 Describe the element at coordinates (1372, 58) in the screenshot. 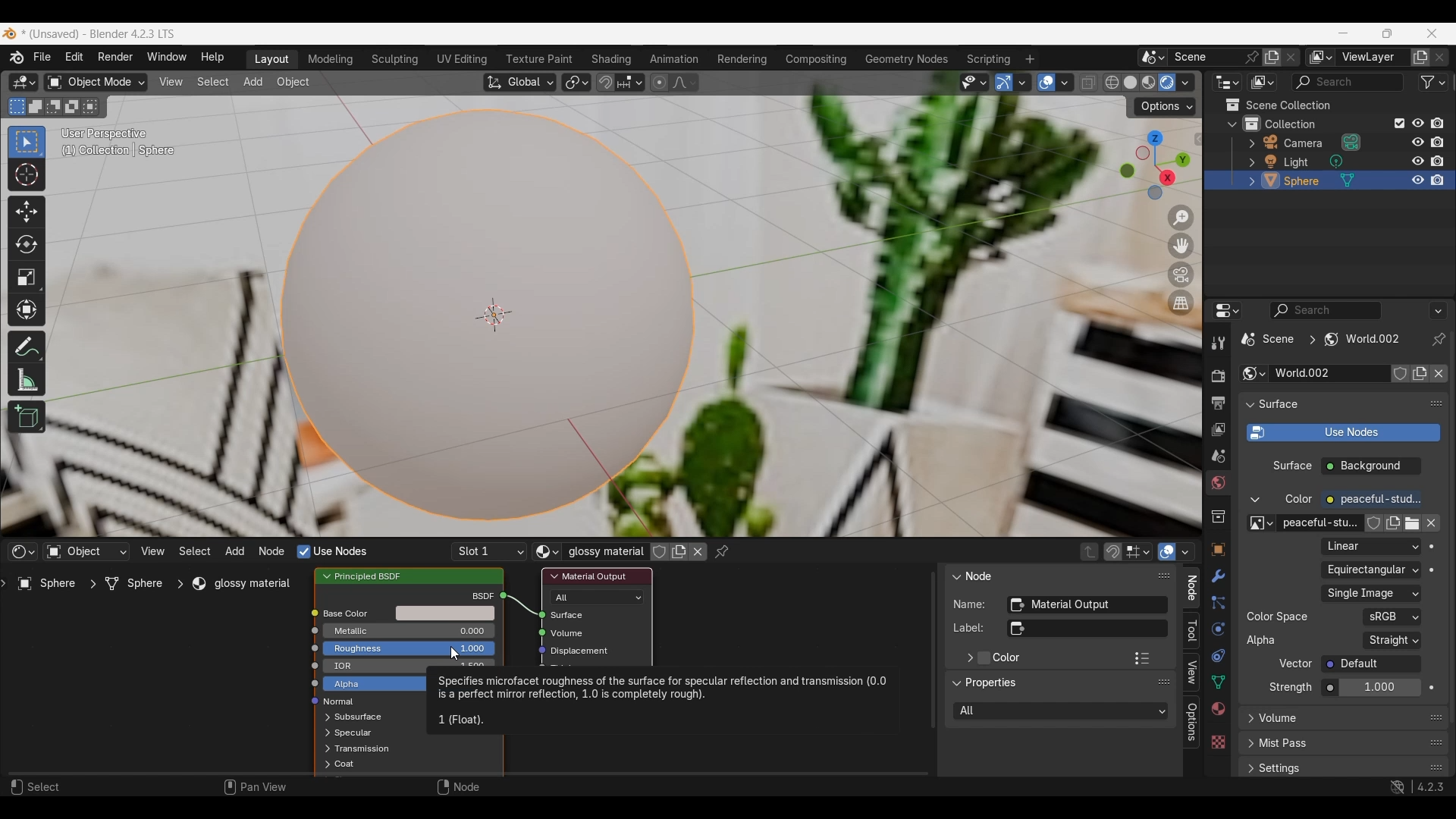

I see `View layer name` at that location.